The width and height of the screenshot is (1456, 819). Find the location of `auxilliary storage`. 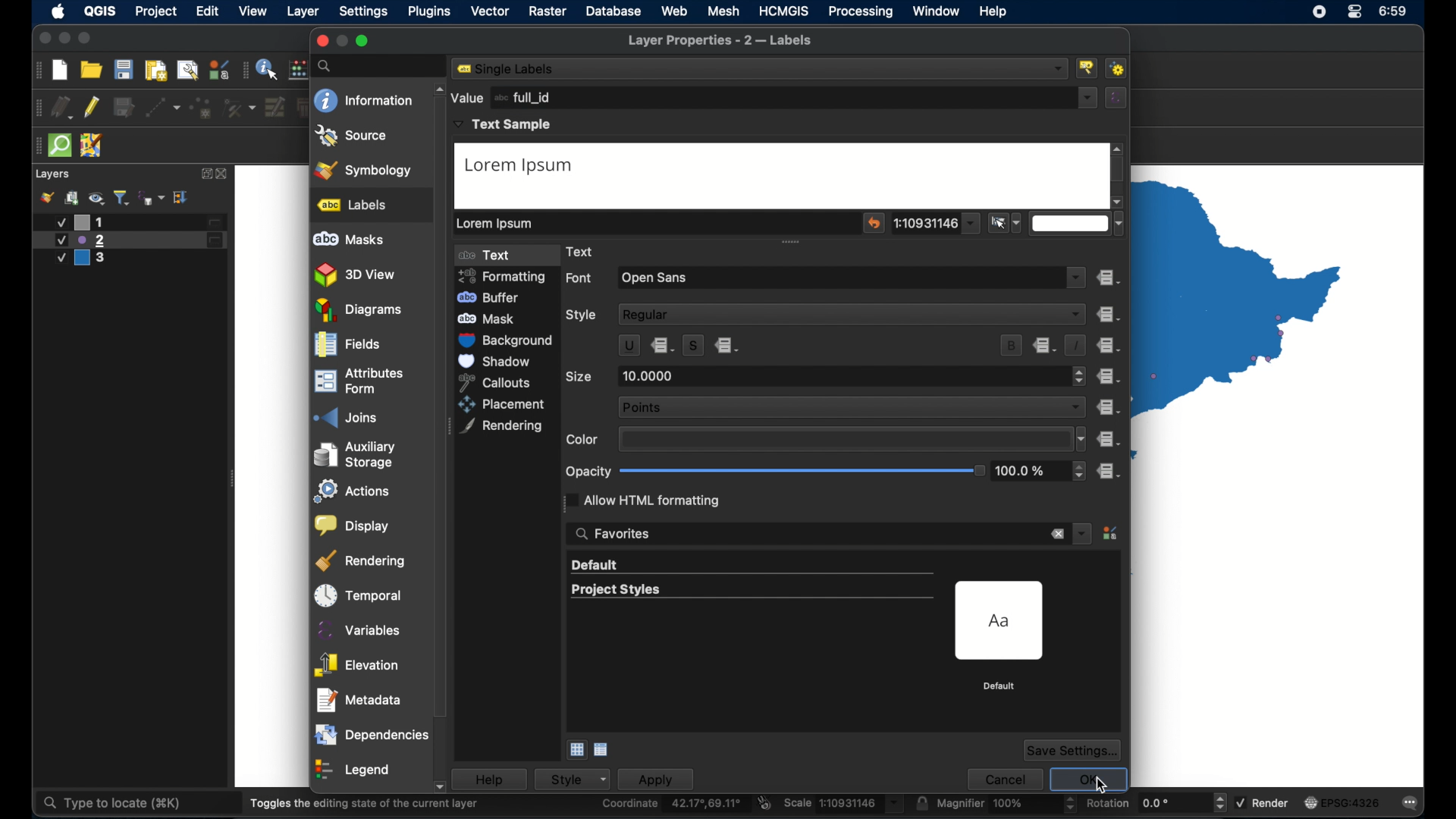

auxilliary storage is located at coordinates (359, 450).